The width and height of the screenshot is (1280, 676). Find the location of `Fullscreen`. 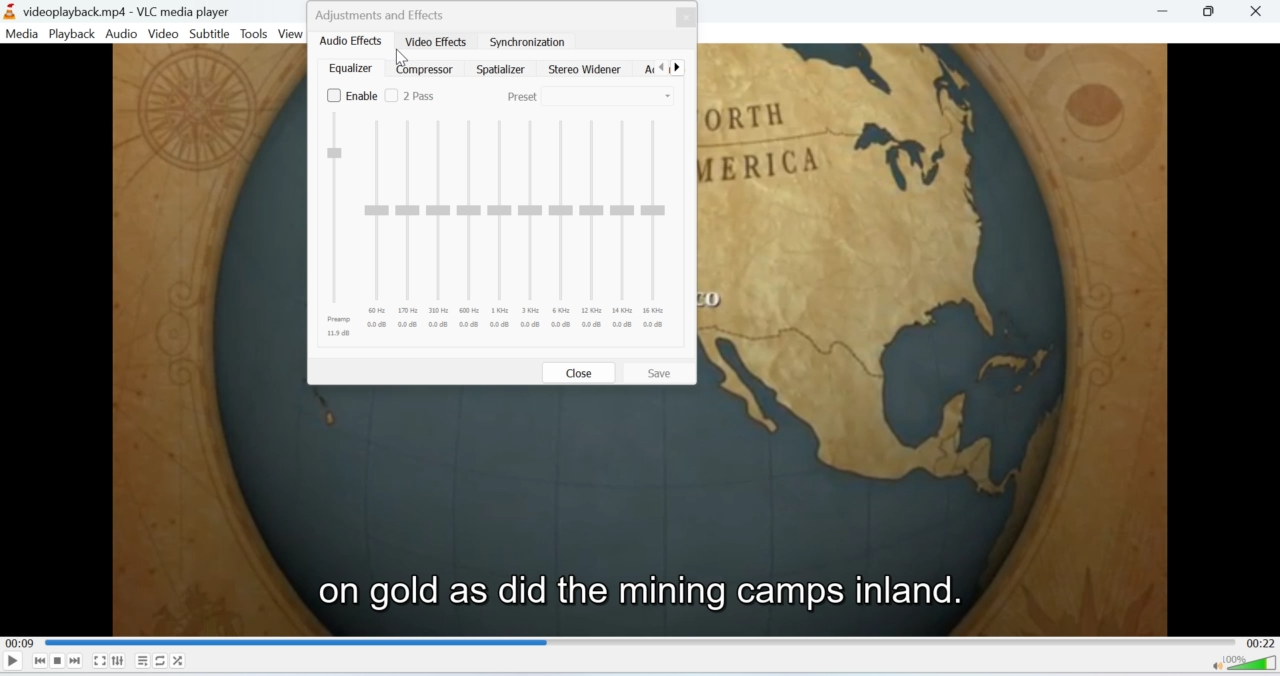

Fullscreen is located at coordinates (100, 661).